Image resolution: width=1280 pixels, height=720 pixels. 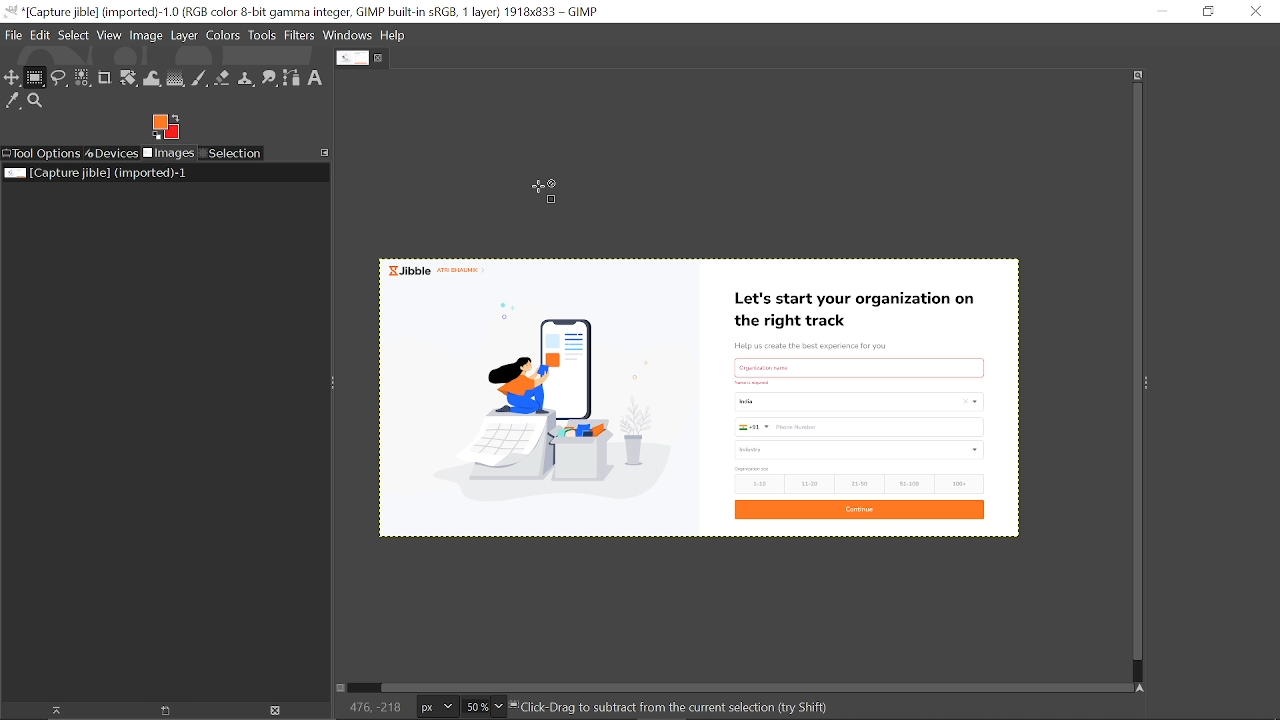 I want to click on Image, so click(x=146, y=37).